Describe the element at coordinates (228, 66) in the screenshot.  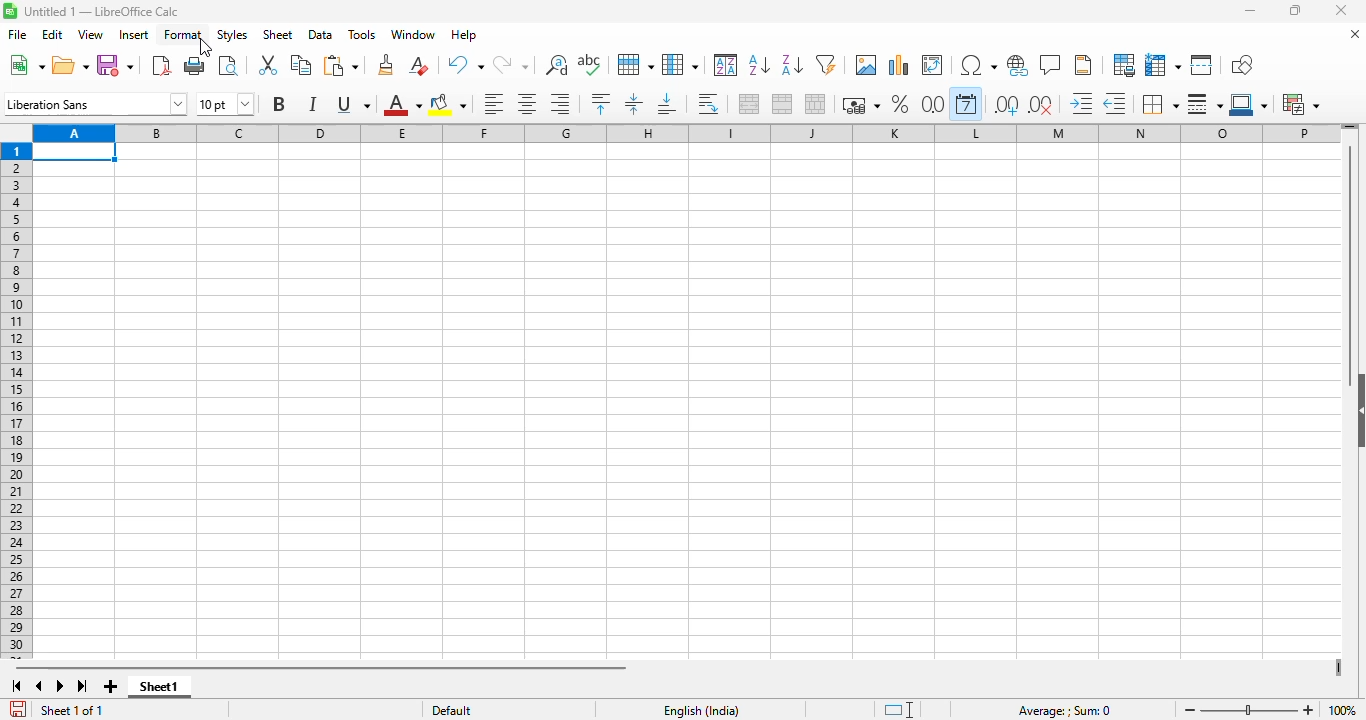
I see `toggle print preview` at that location.